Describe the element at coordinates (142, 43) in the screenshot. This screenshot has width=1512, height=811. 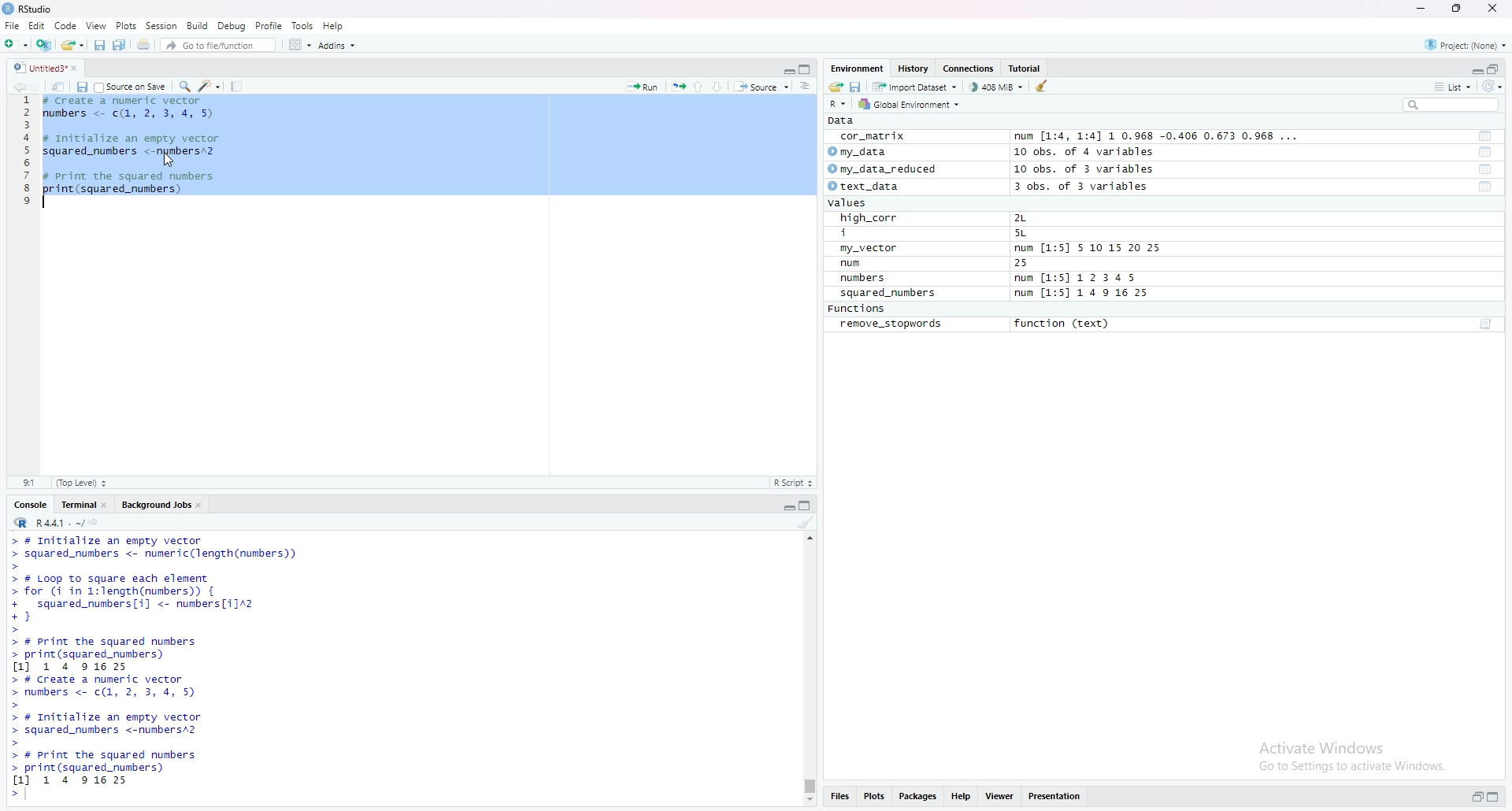
I see `Print the current file` at that location.